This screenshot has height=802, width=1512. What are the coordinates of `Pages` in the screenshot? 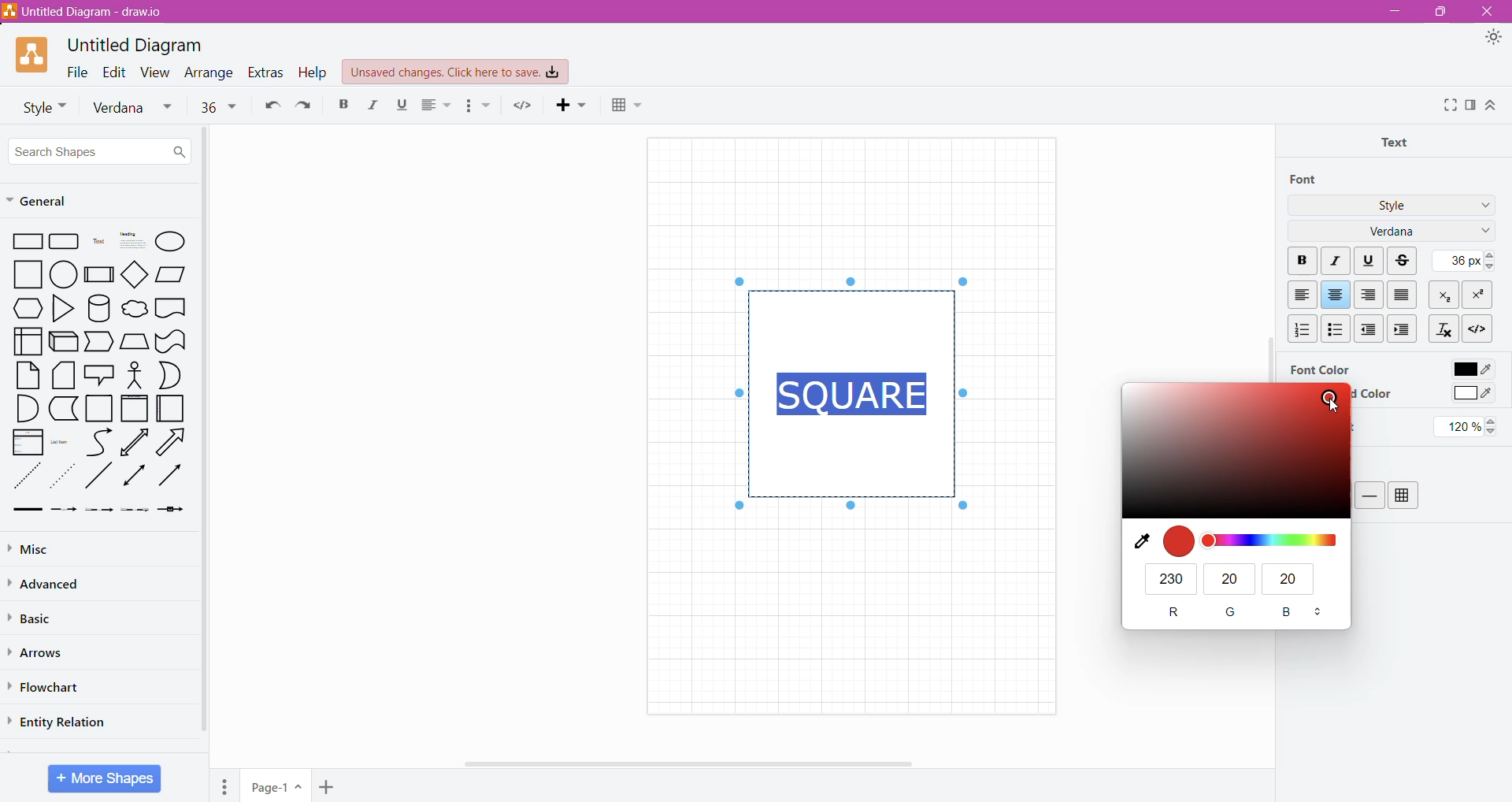 It's located at (225, 786).